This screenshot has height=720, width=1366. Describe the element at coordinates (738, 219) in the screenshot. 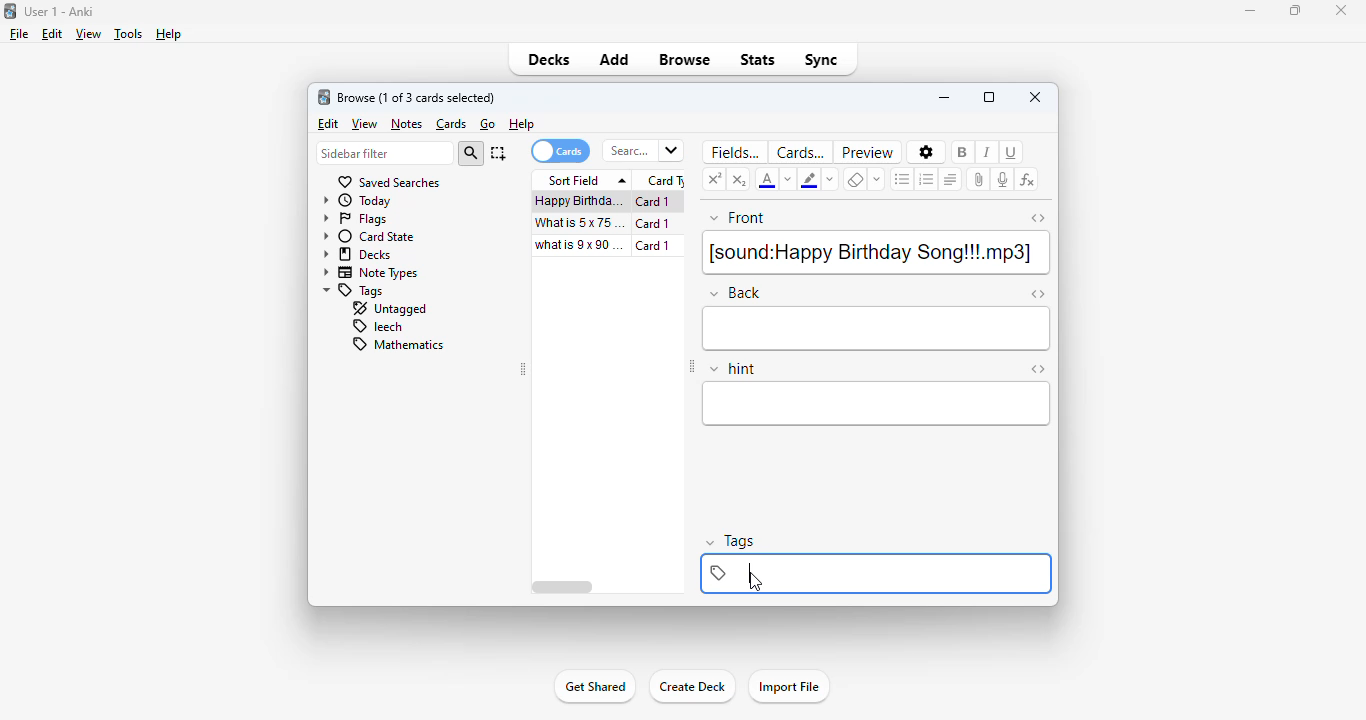

I see `front` at that location.